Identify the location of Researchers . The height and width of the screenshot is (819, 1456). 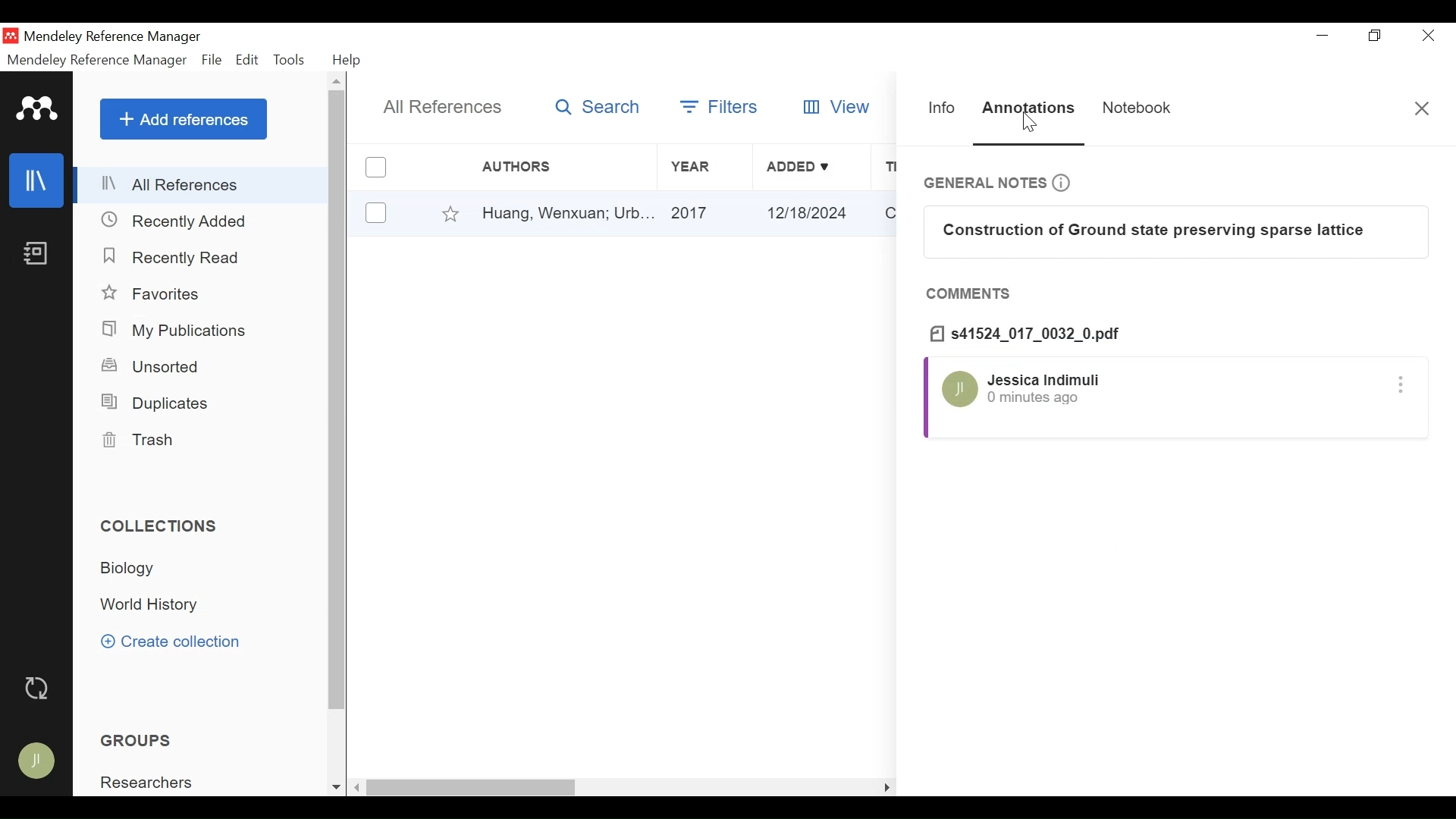
(149, 782).